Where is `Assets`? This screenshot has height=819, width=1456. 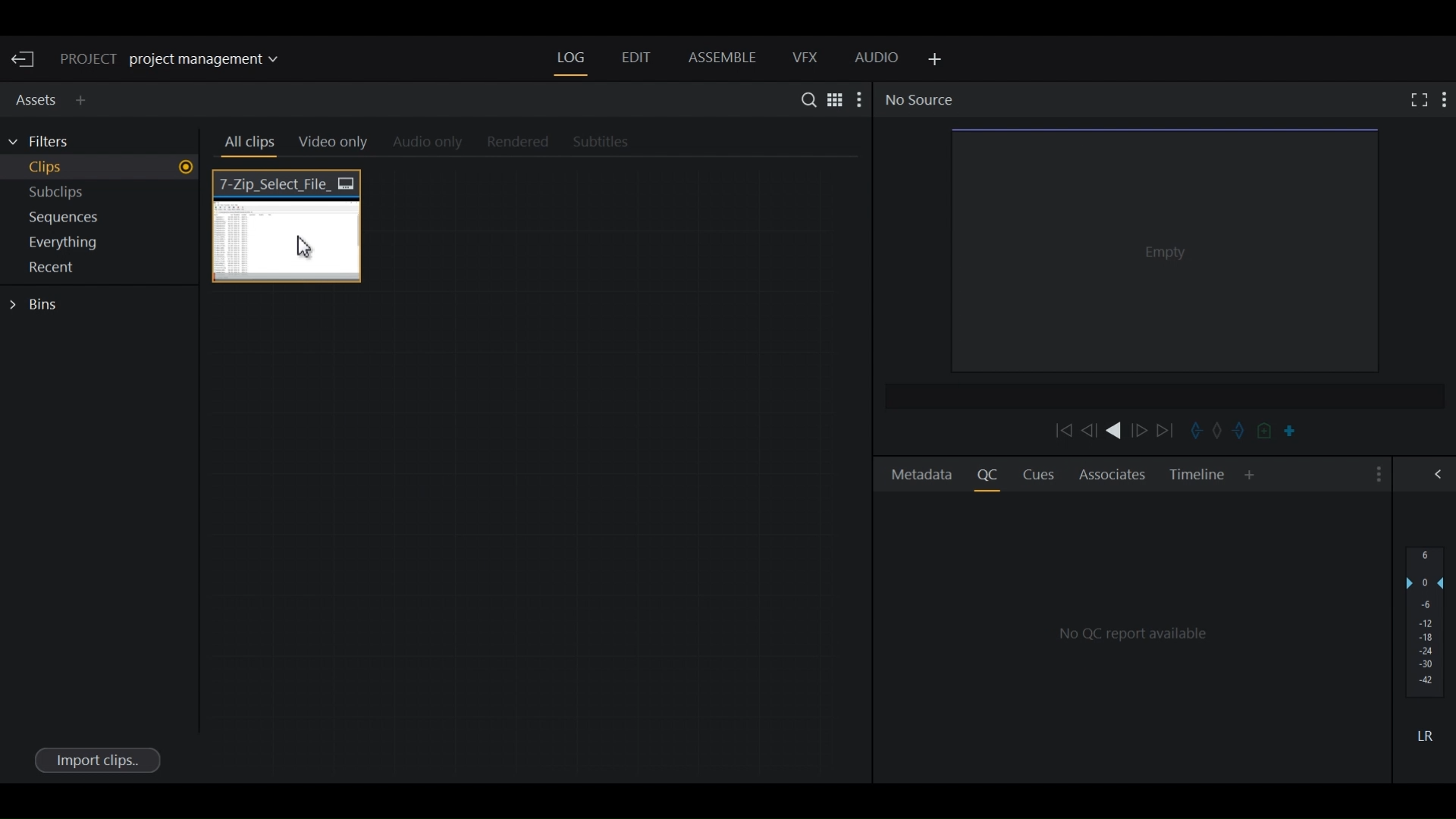
Assets is located at coordinates (33, 98).